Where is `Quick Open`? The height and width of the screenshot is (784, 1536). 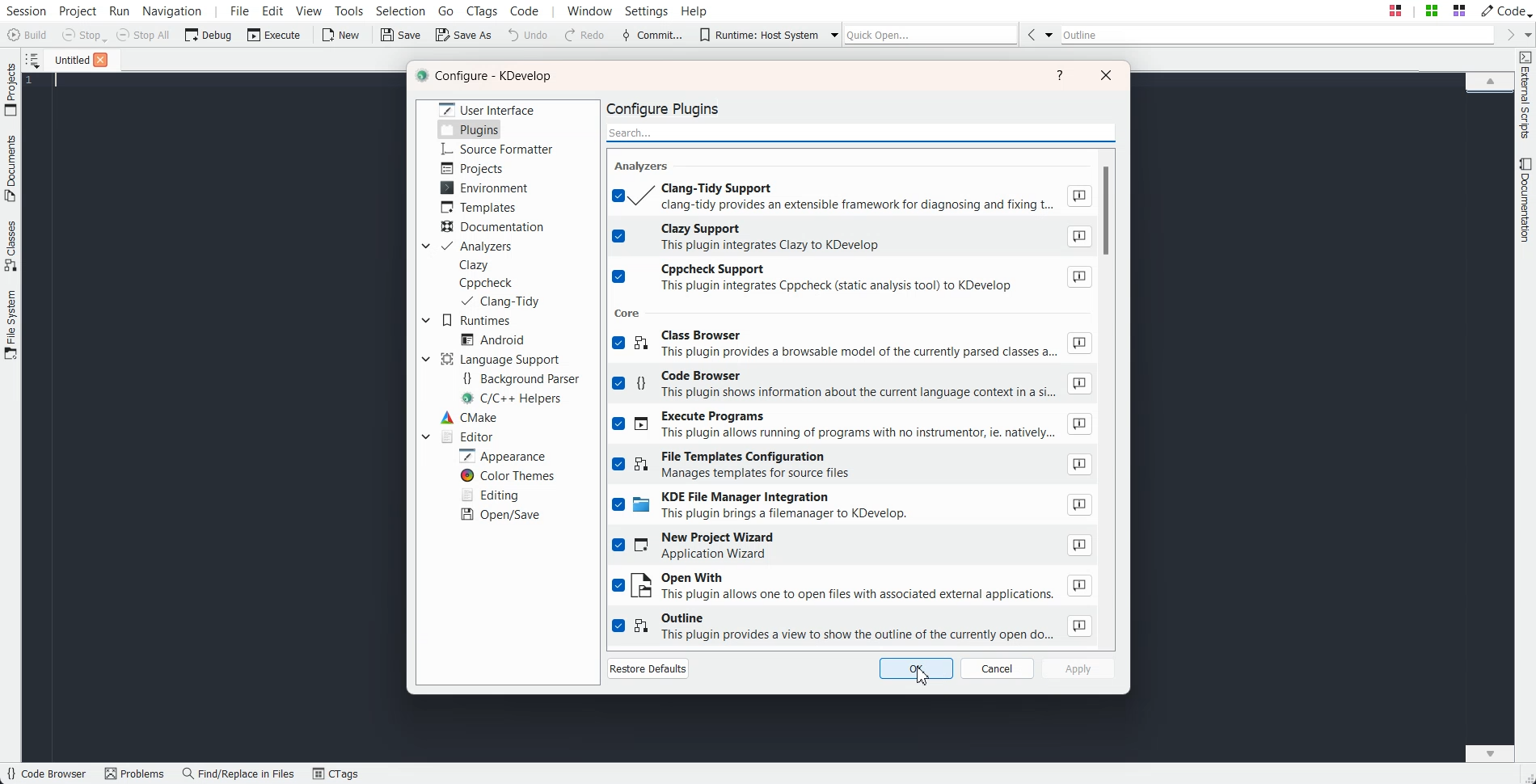 Quick Open is located at coordinates (1427, 11).